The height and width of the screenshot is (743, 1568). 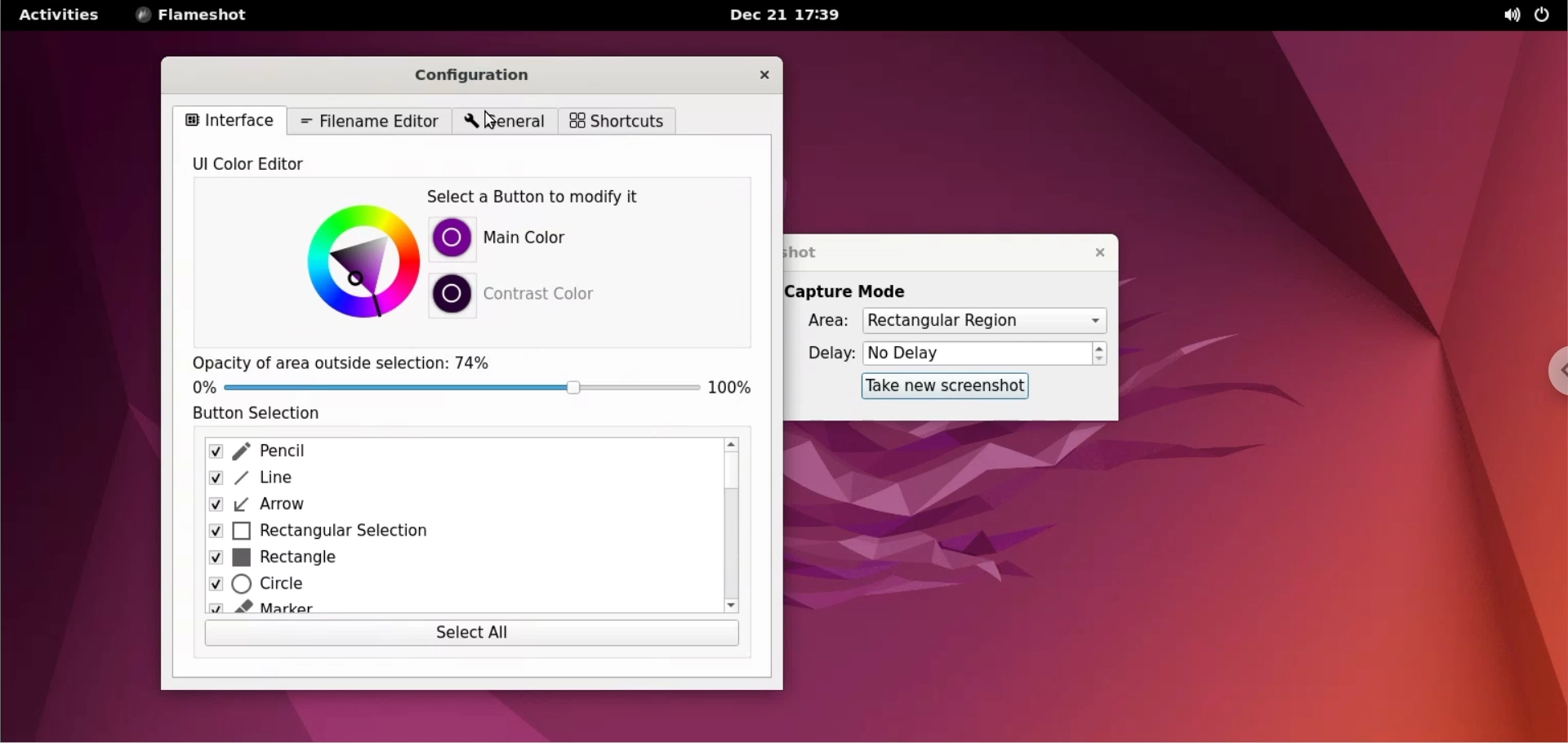 What do you see at coordinates (195, 16) in the screenshot?
I see `flameshot menu` at bounding box center [195, 16].